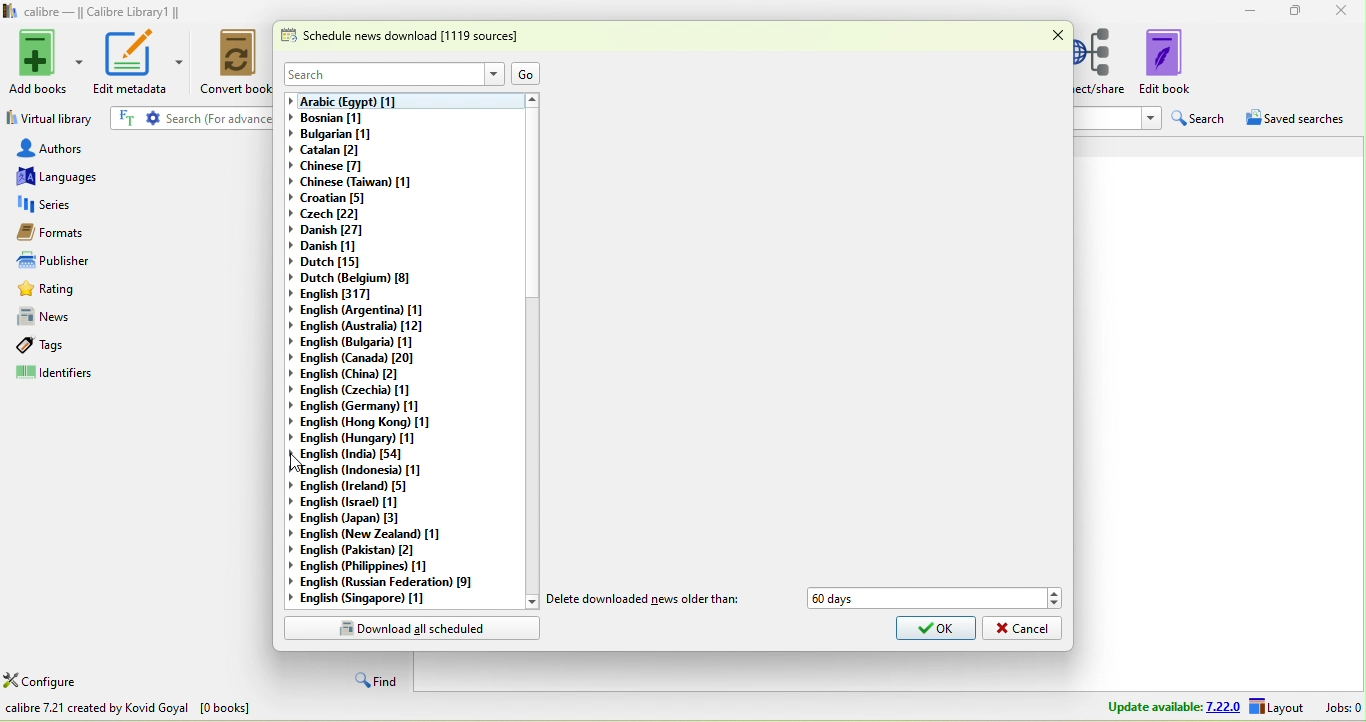 This screenshot has height=722, width=1366. Describe the element at coordinates (491, 72) in the screenshot. I see `Drop down` at that location.